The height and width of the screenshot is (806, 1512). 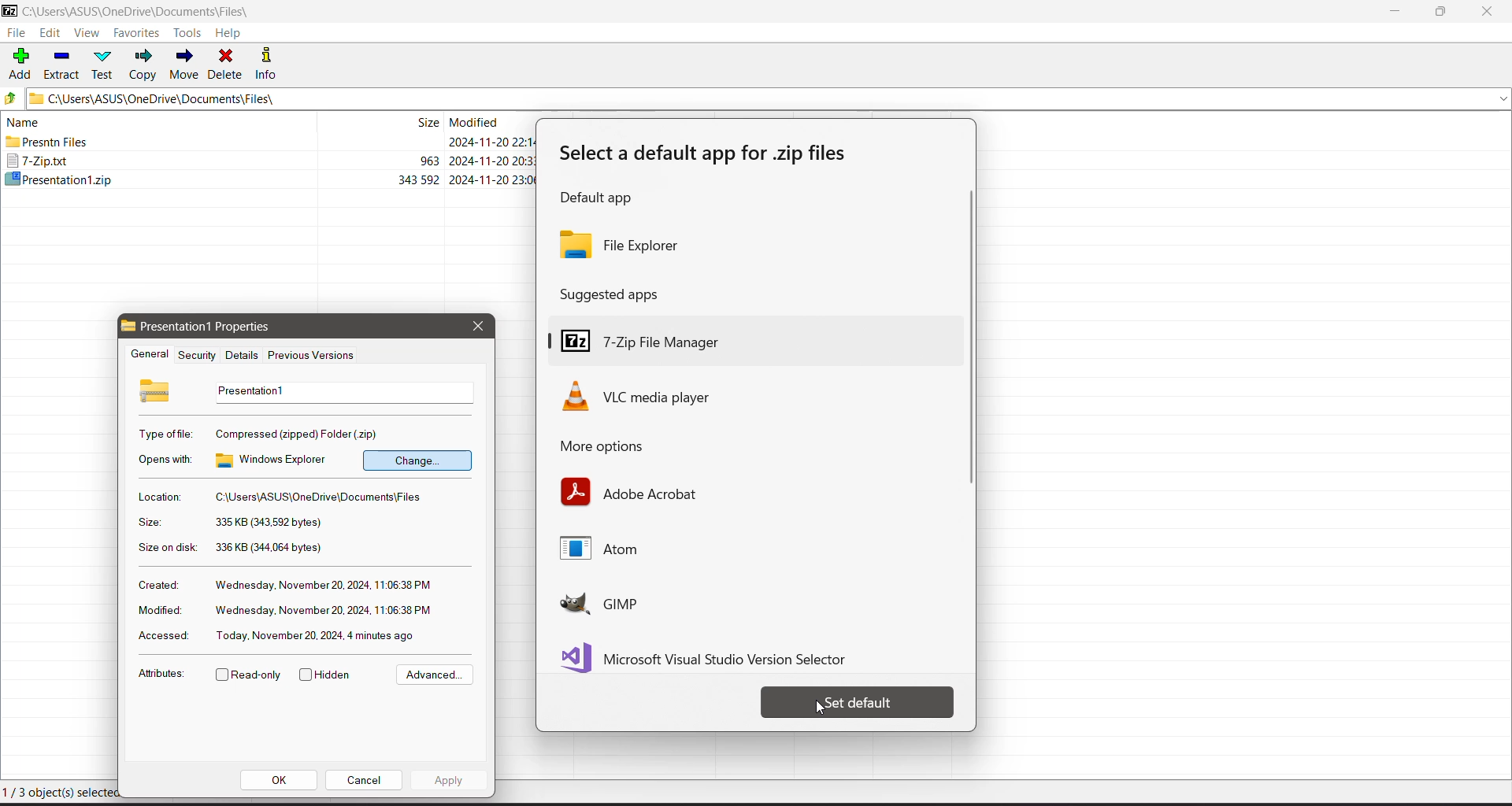 I want to click on Previous Versions, so click(x=312, y=357).